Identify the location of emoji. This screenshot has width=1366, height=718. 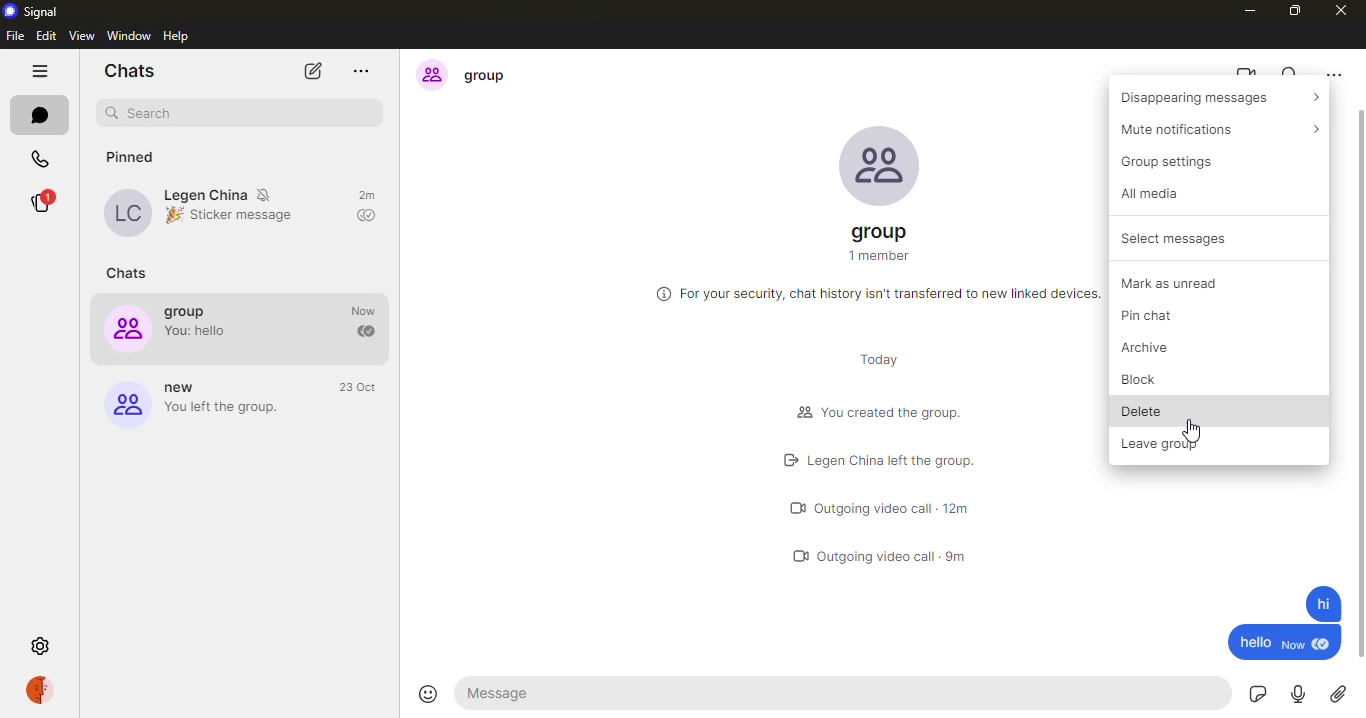
(430, 694).